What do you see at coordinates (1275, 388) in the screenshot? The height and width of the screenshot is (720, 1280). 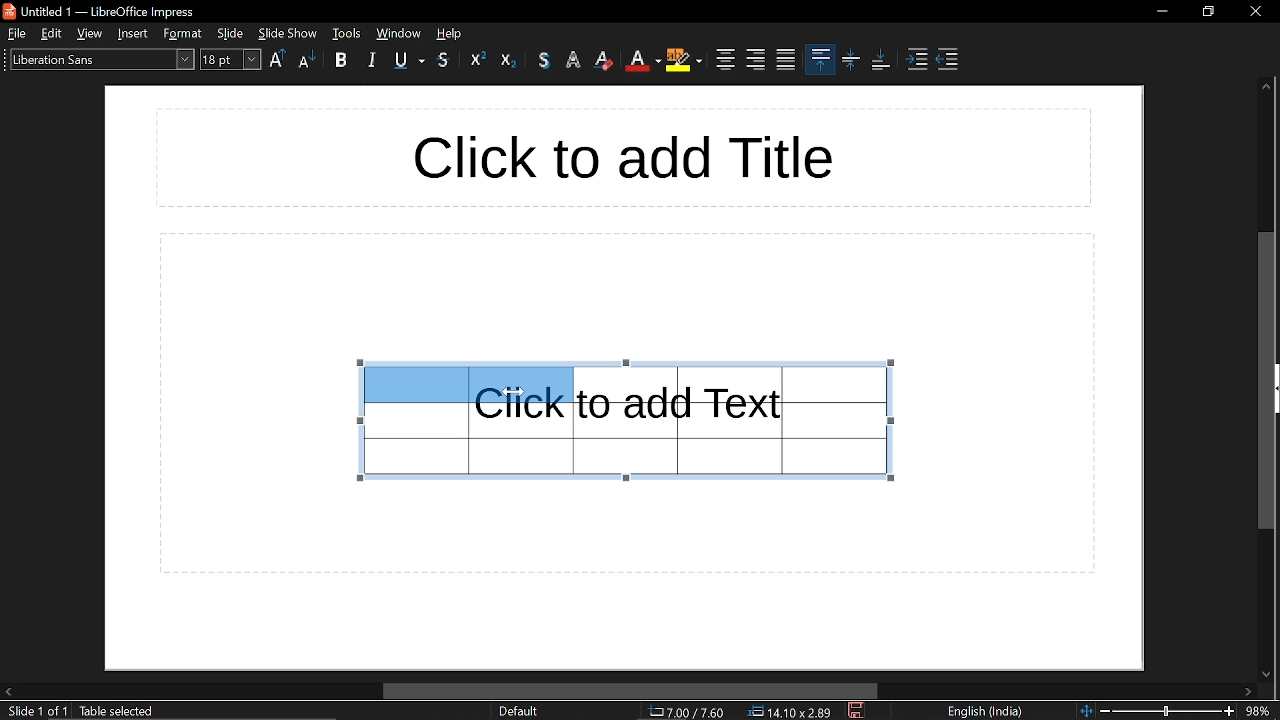 I see `expand sidebar` at bounding box center [1275, 388].